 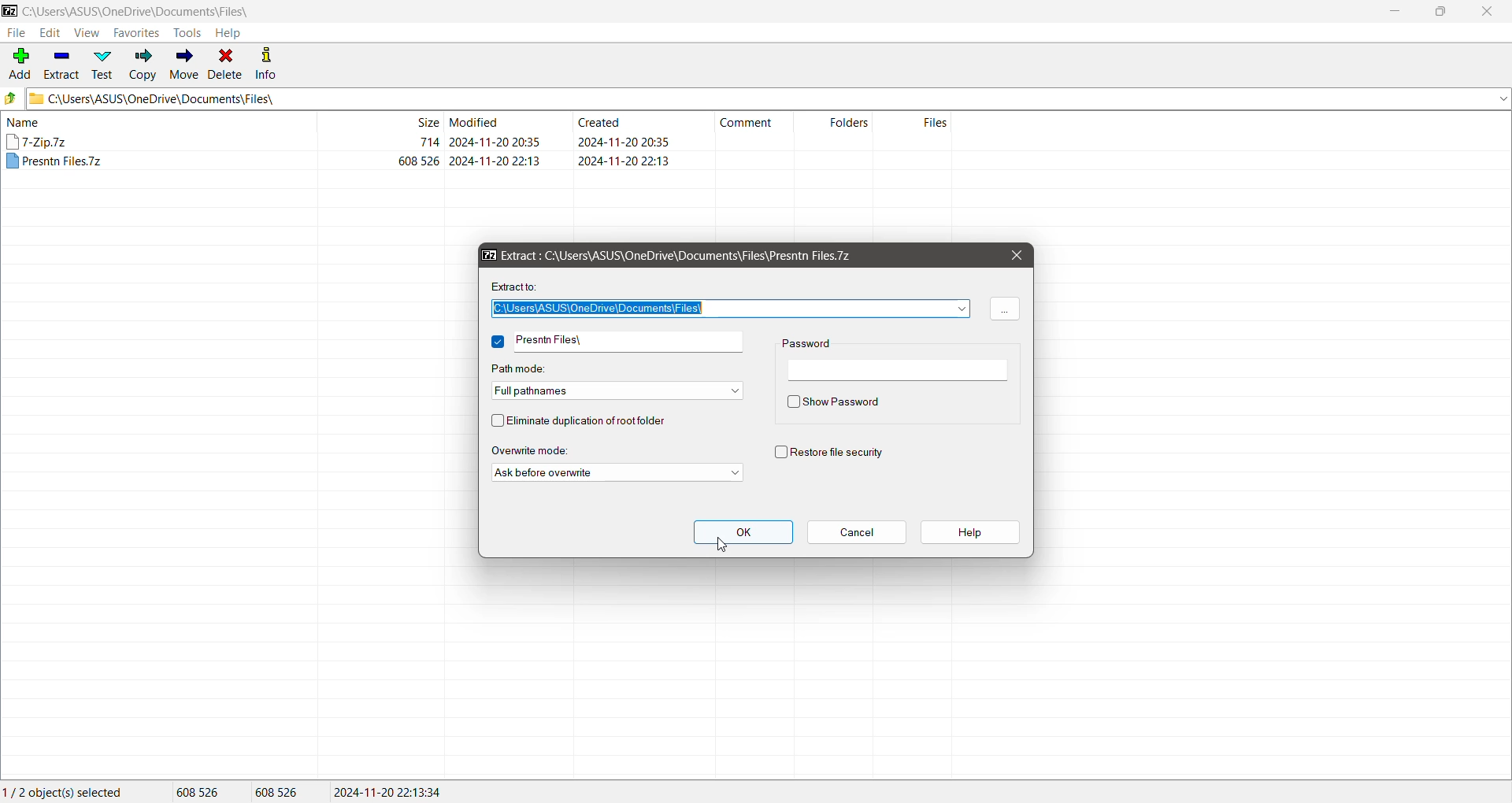 I want to click on Move Up one level, so click(x=11, y=98).